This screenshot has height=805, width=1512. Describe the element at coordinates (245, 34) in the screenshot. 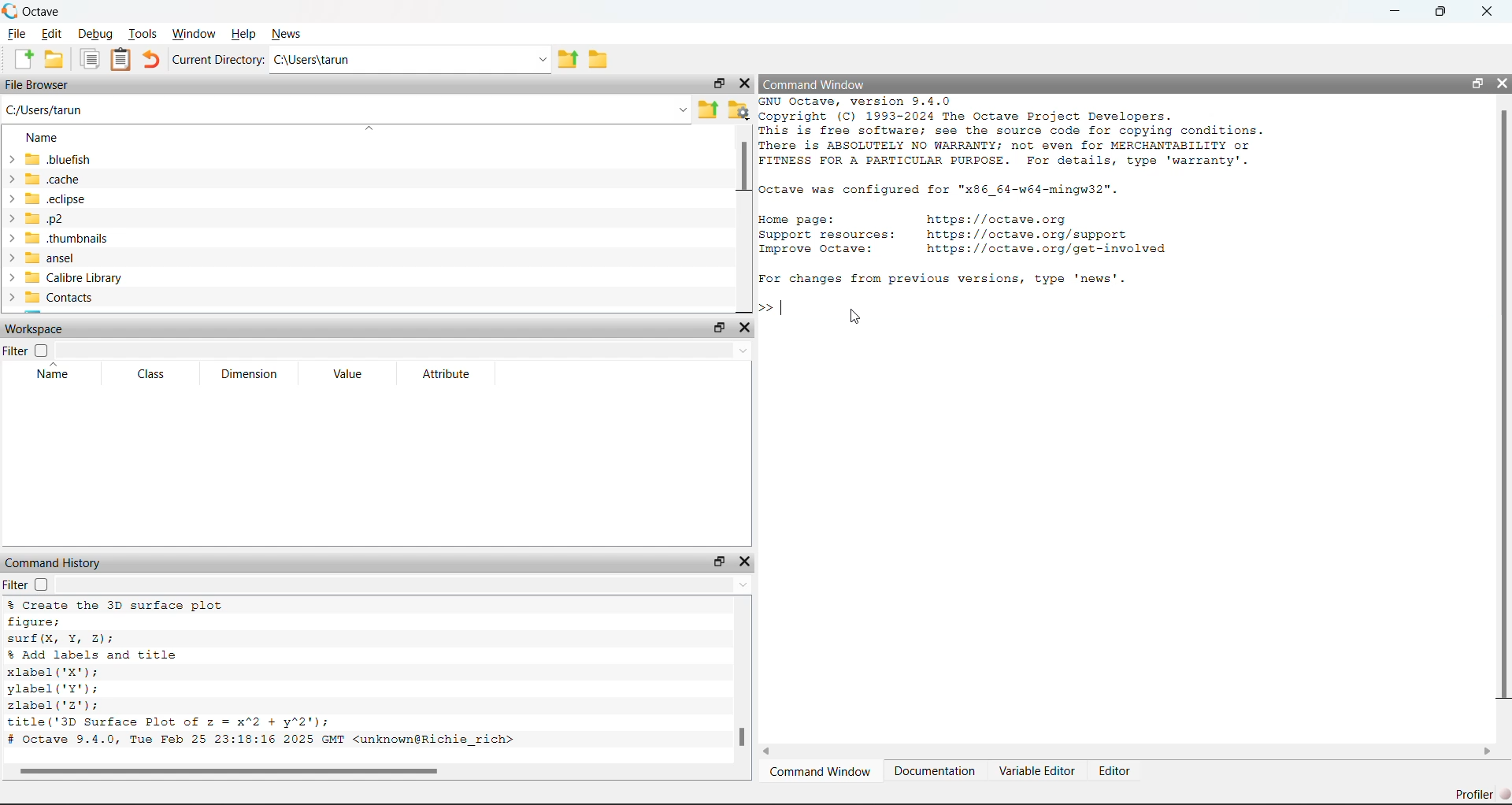

I see `Help` at that location.